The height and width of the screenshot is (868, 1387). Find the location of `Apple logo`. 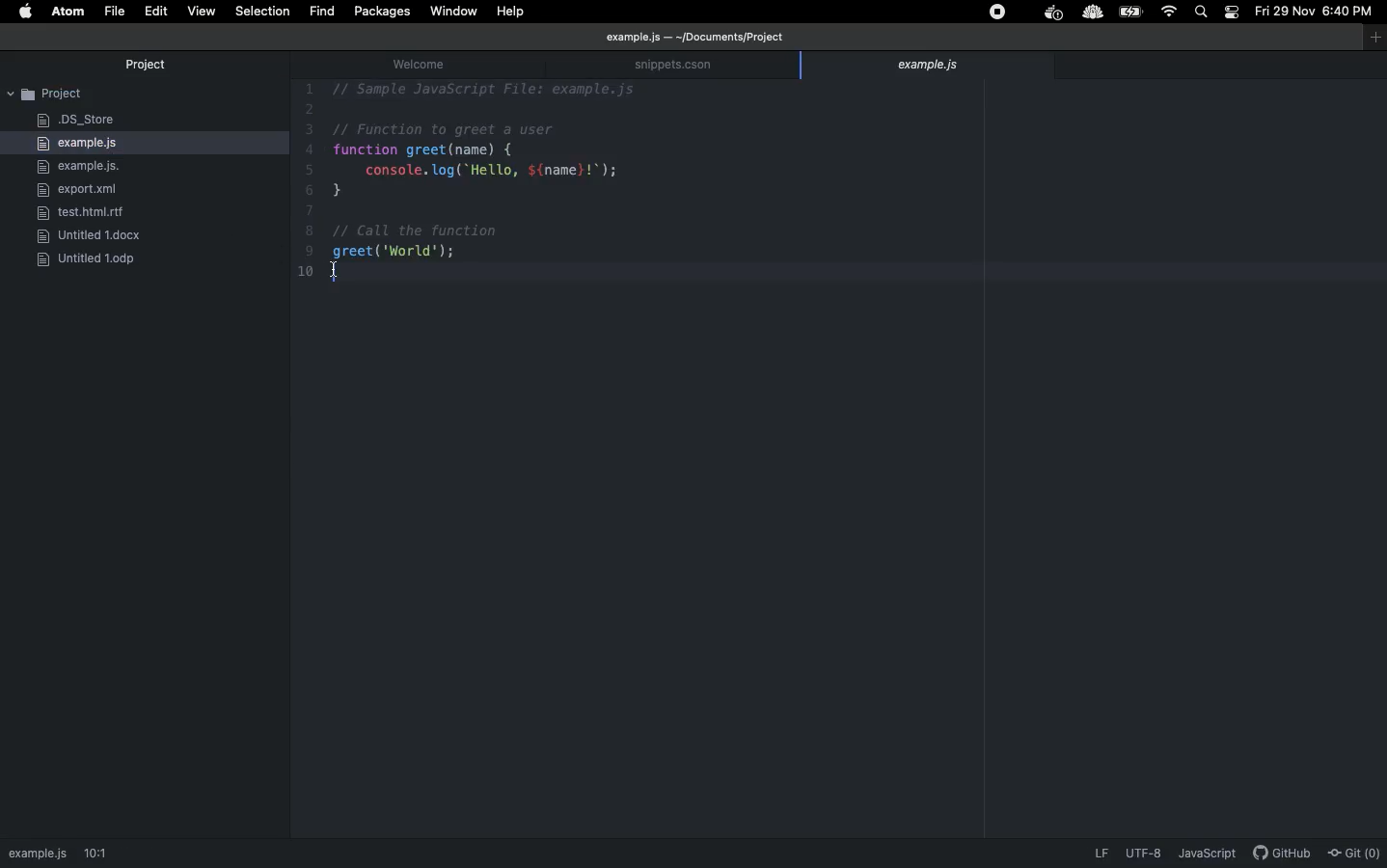

Apple logo is located at coordinates (28, 12).